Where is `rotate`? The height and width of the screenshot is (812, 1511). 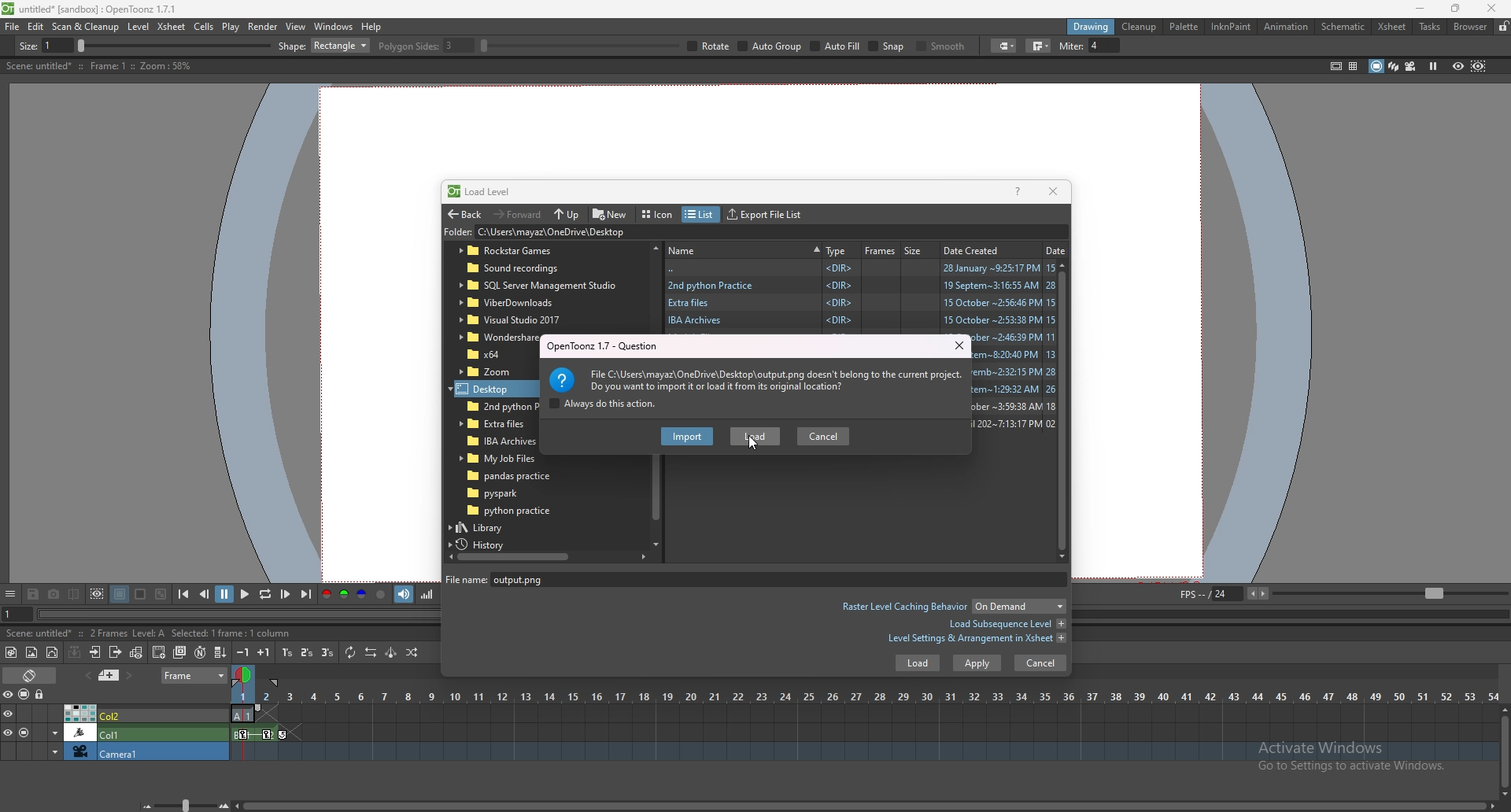 rotate is located at coordinates (1026, 46).